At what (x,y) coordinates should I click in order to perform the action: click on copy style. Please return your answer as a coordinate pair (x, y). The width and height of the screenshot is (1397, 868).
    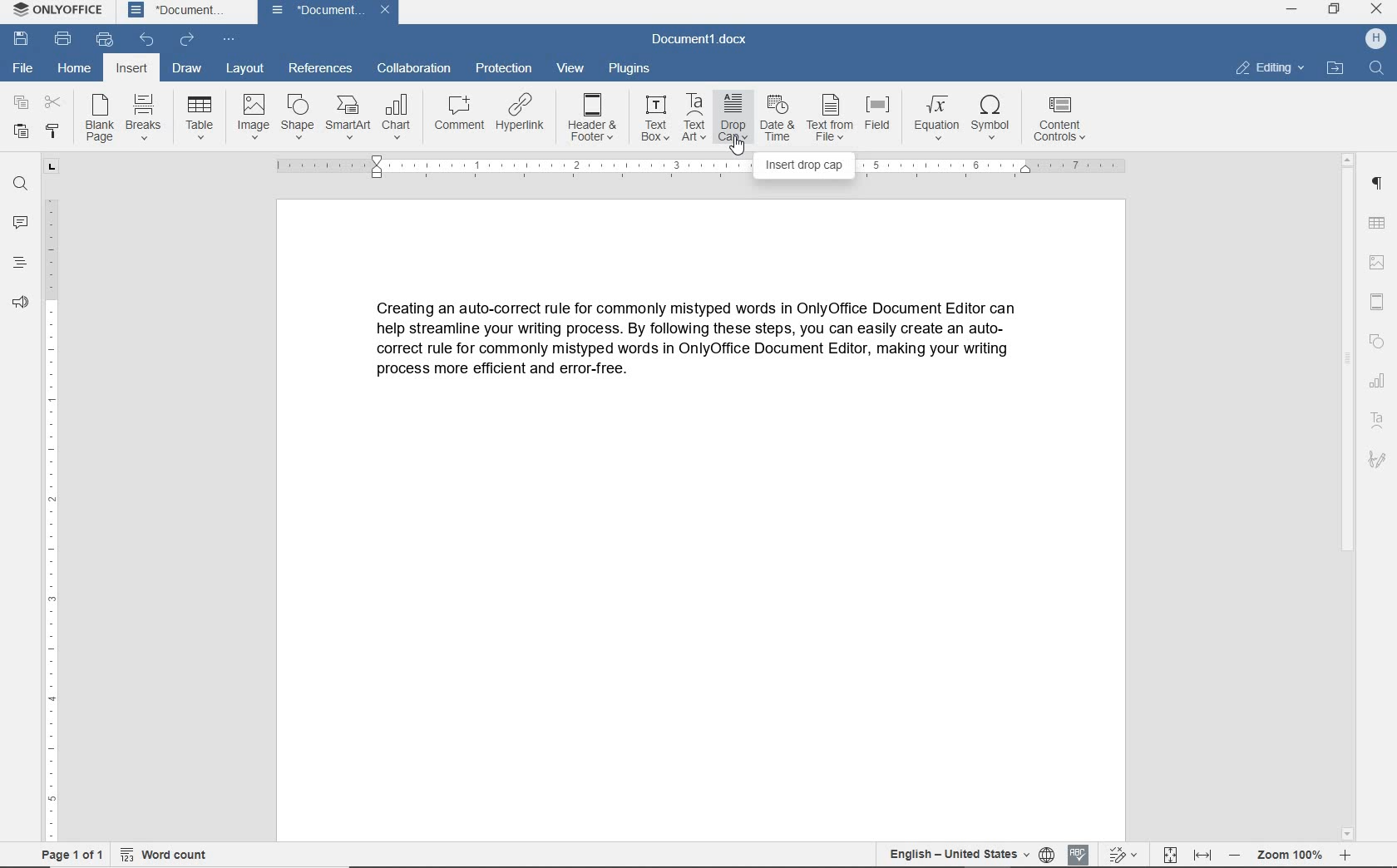
    Looking at the image, I should click on (52, 131).